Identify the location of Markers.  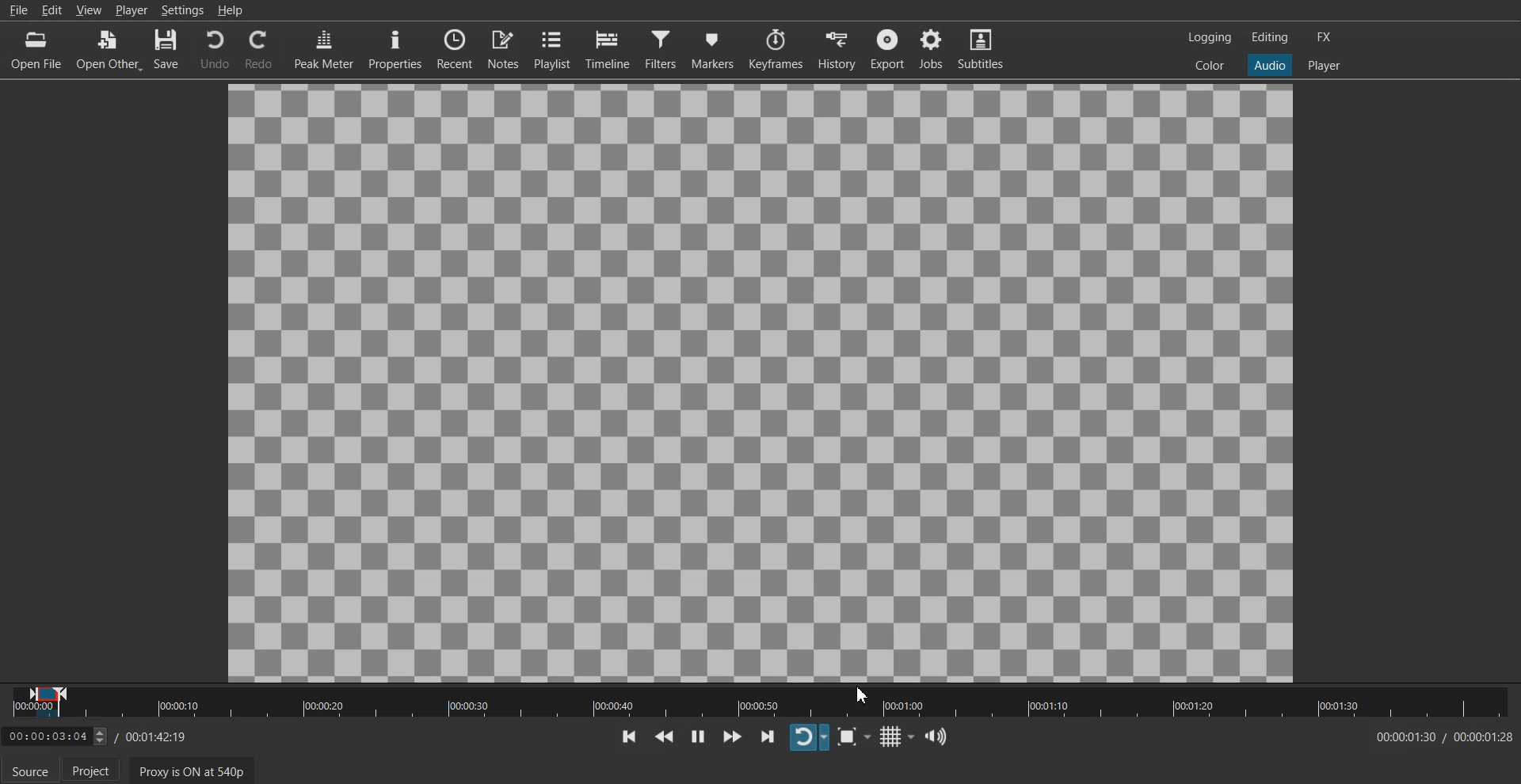
(712, 49).